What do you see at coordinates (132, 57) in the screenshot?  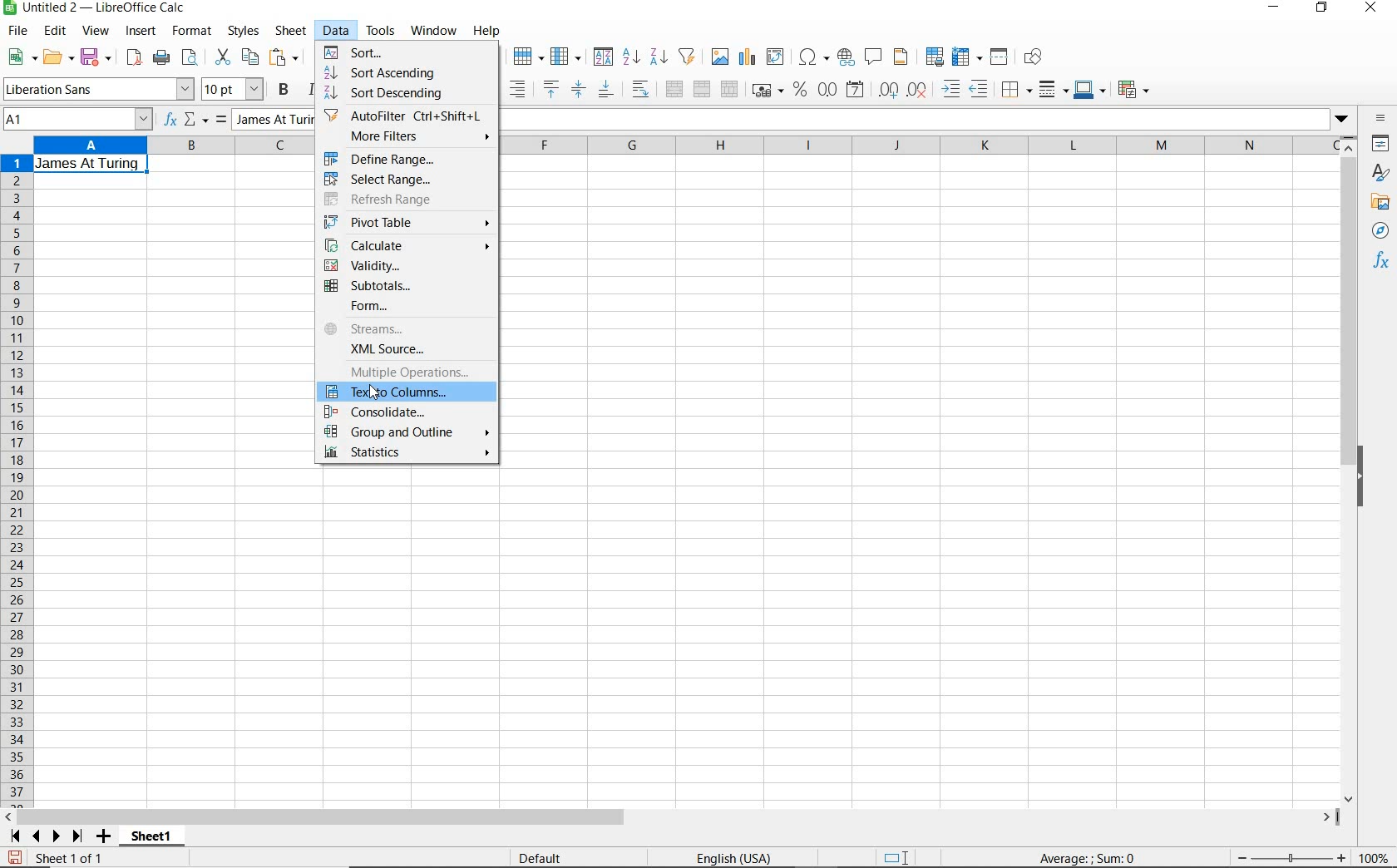 I see `export as pdf` at bounding box center [132, 57].